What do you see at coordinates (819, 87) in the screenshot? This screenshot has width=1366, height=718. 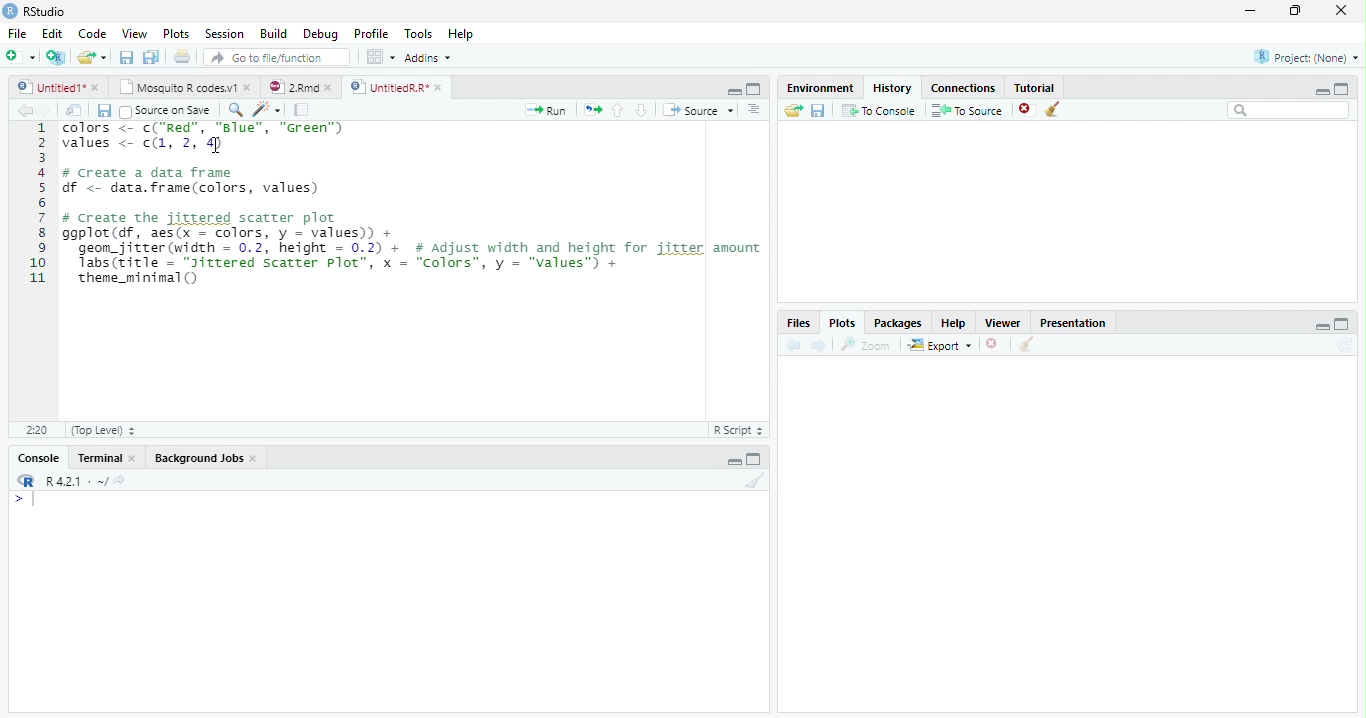 I see `Environment` at bounding box center [819, 87].